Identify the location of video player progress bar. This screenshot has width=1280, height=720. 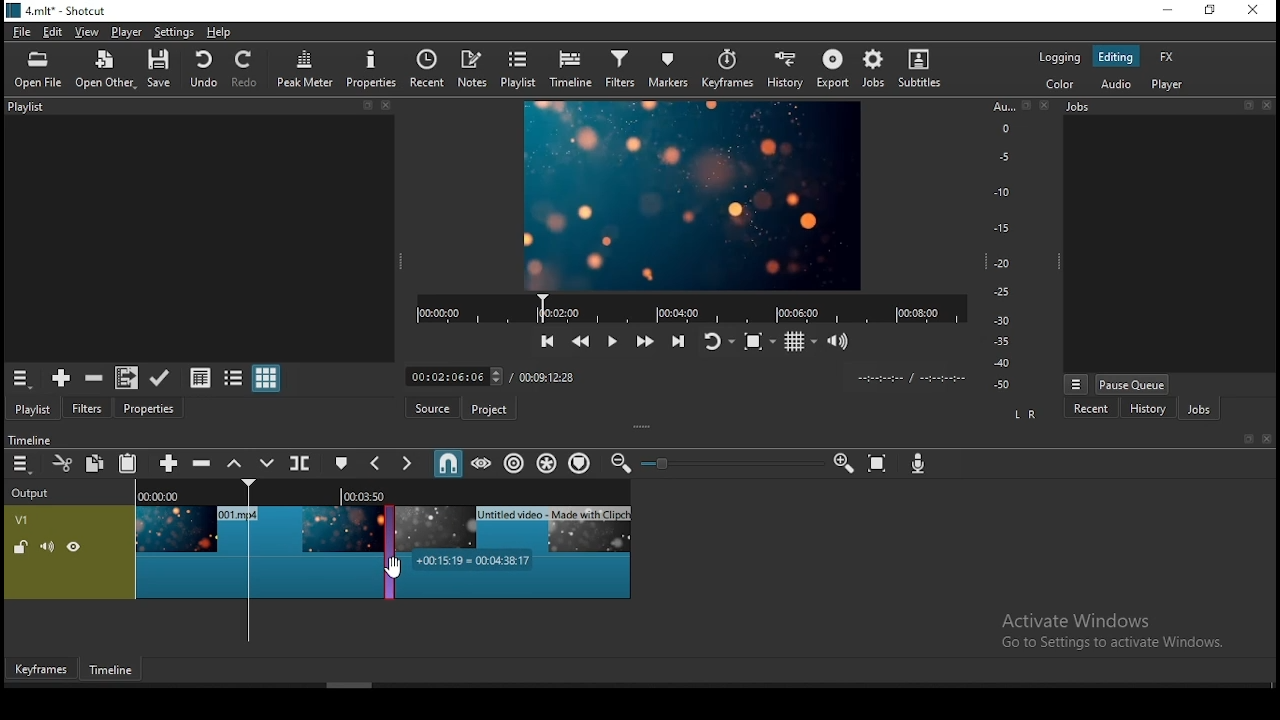
(690, 307).